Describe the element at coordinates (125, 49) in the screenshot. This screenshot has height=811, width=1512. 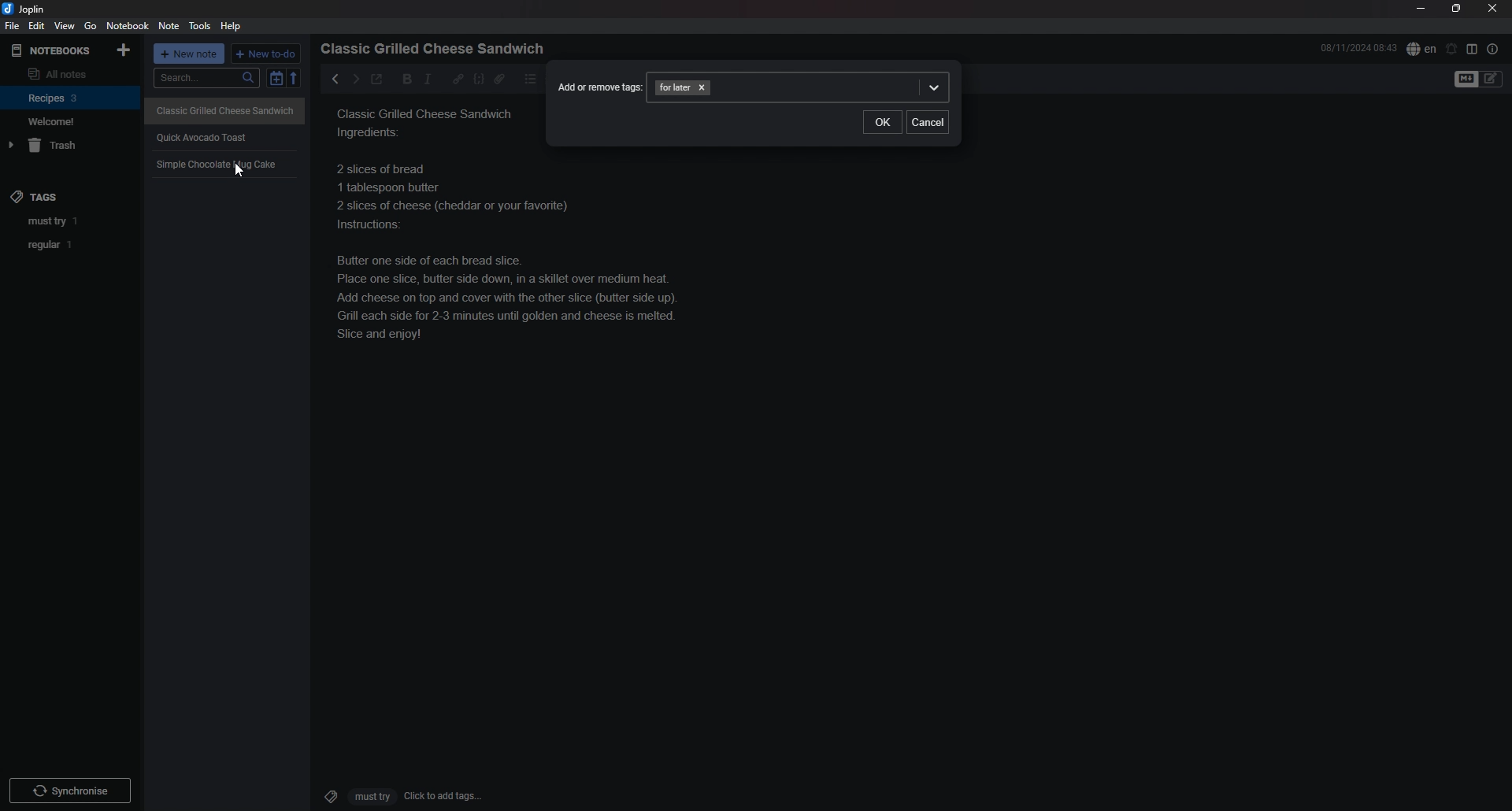
I see `add notebook` at that location.